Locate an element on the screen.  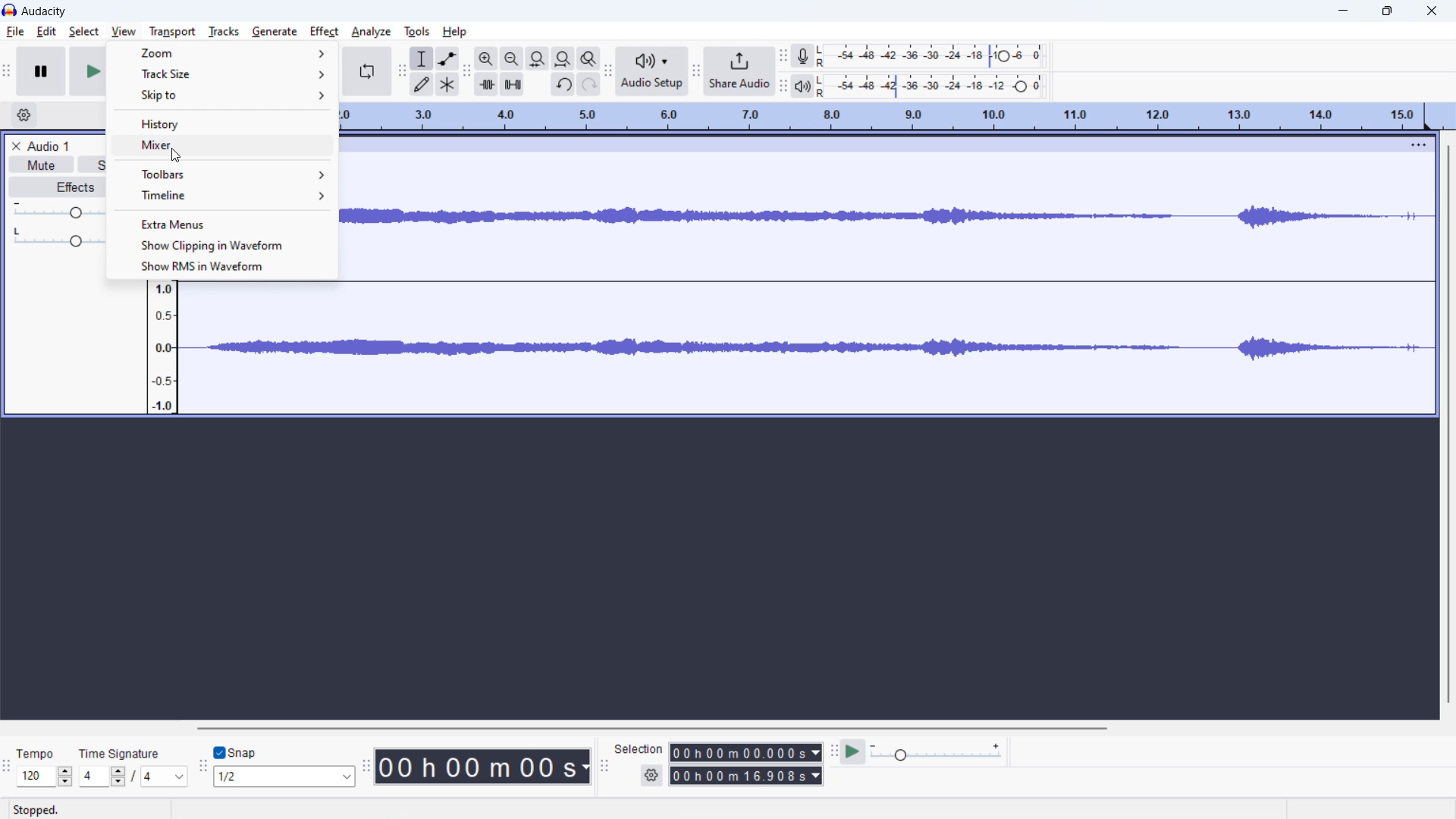
playback meter toolbar is located at coordinates (783, 86).